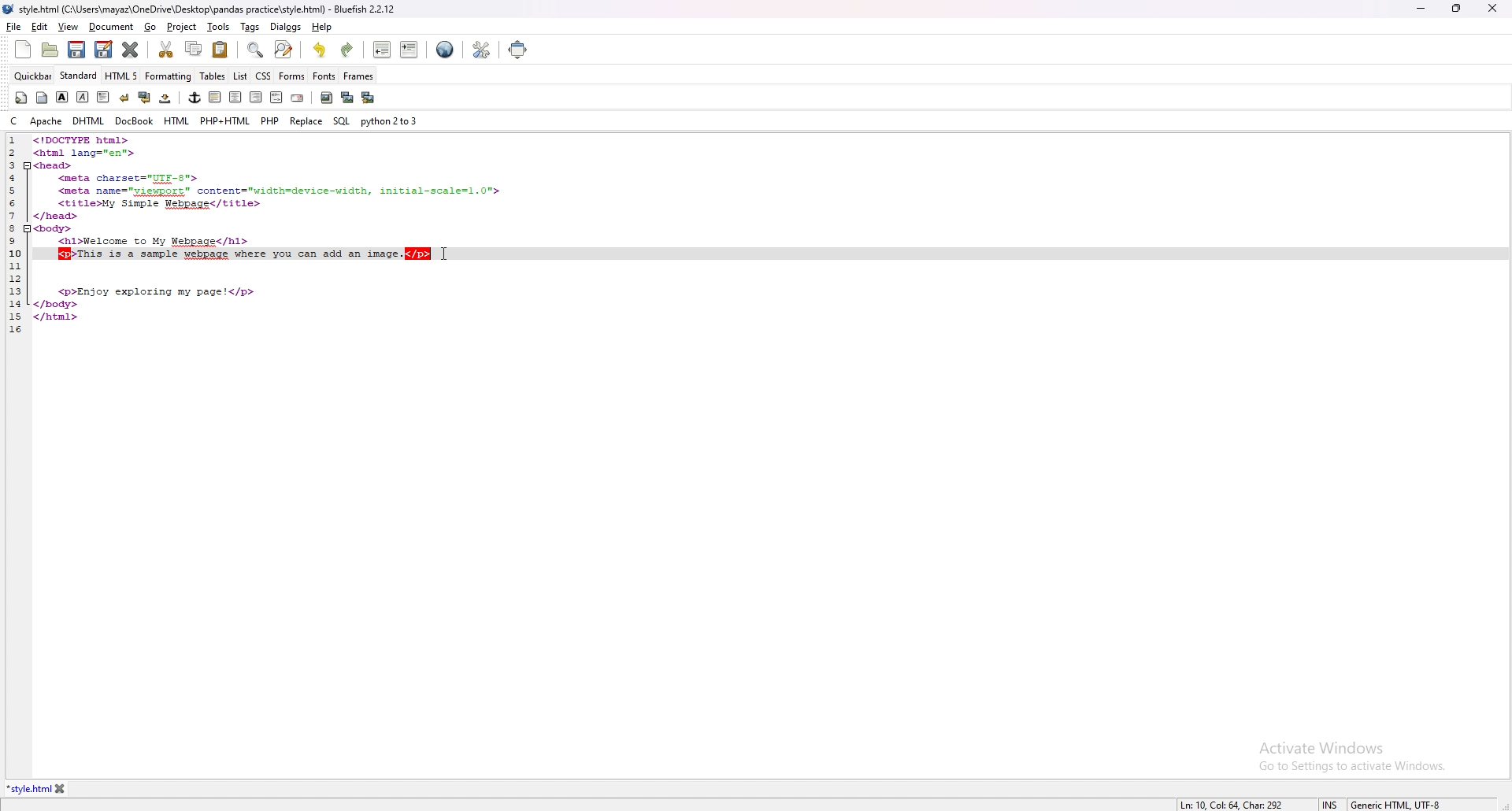 This screenshot has width=1512, height=811. Describe the element at coordinates (85, 153) in the screenshot. I see `<html lang="en">` at that location.